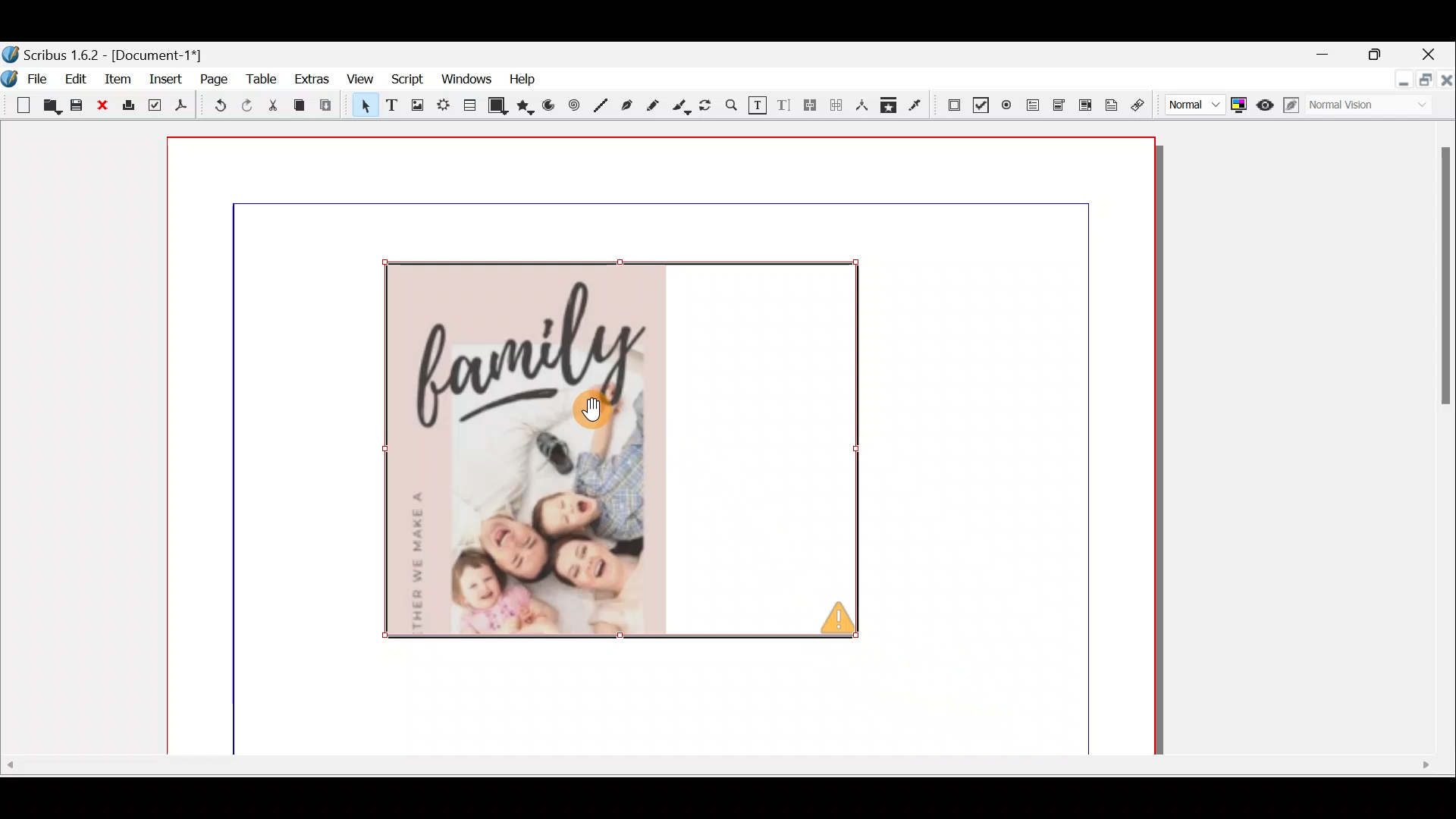 The image size is (1456, 819). What do you see at coordinates (623, 106) in the screenshot?
I see `Bezier curve` at bounding box center [623, 106].